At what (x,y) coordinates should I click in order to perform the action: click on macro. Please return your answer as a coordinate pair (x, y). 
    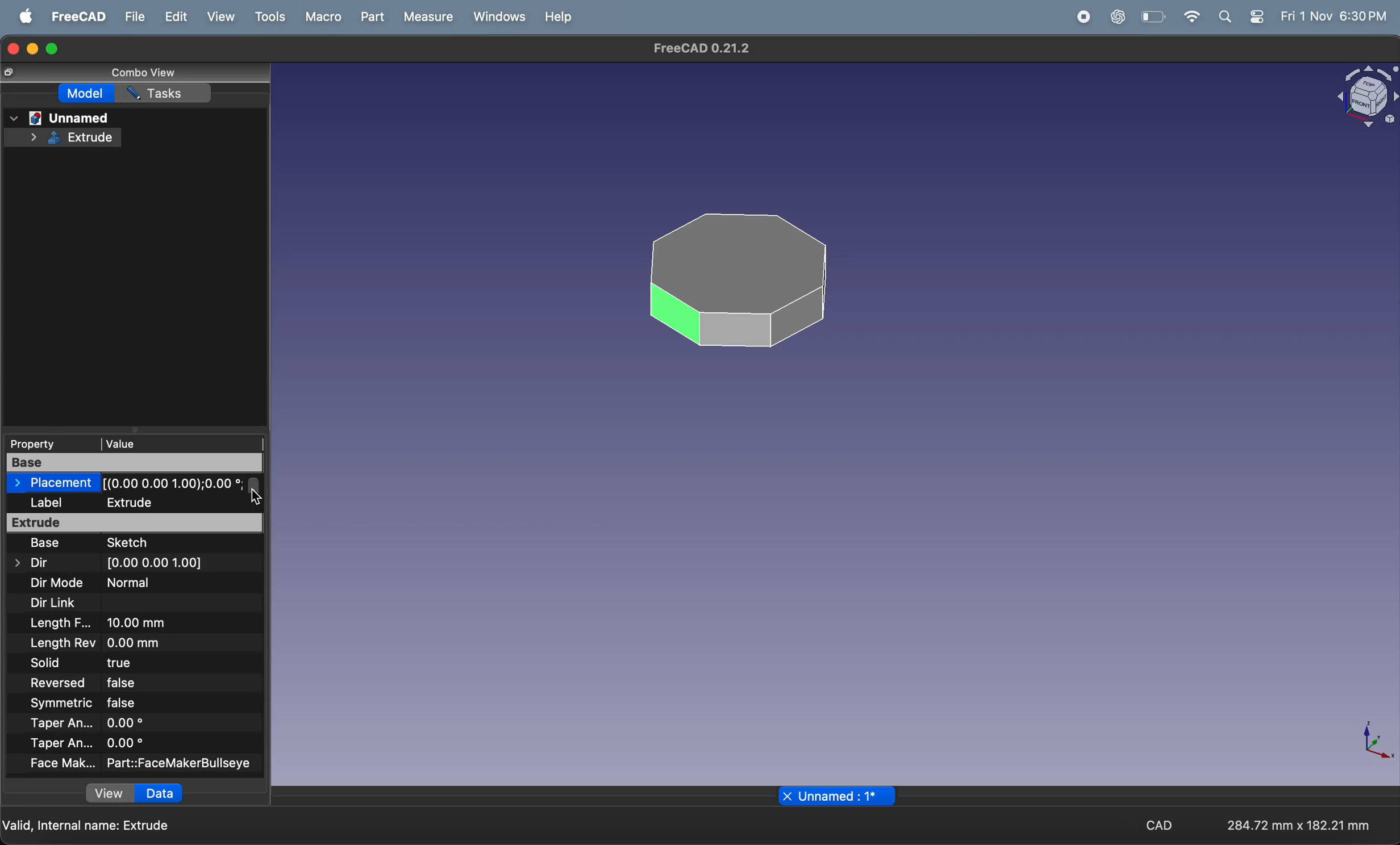
    Looking at the image, I should click on (320, 16).